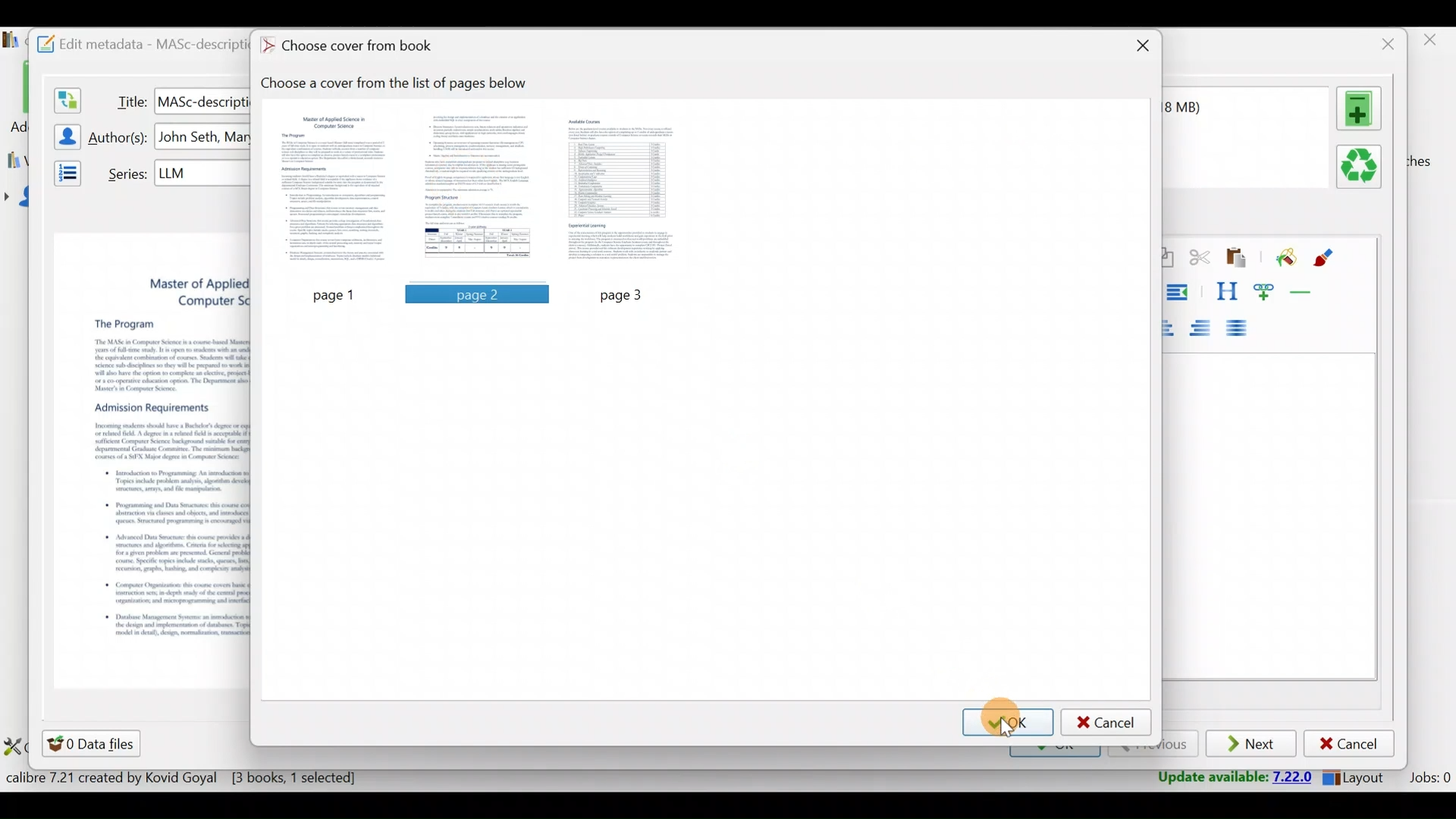 Image resolution: width=1456 pixels, height=819 pixels. I want to click on , so click(204, 137).